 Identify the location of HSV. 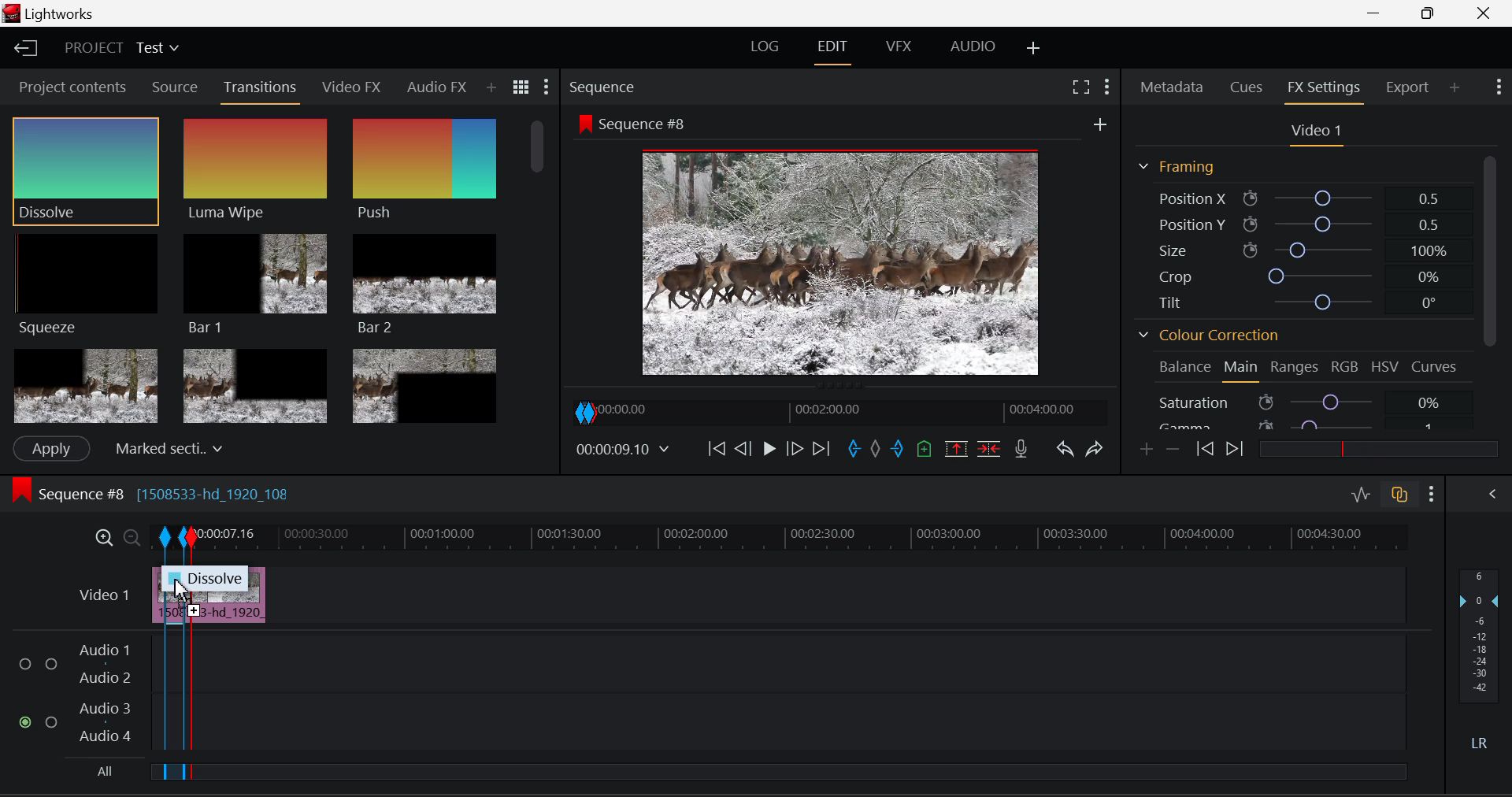
(1384, 369).